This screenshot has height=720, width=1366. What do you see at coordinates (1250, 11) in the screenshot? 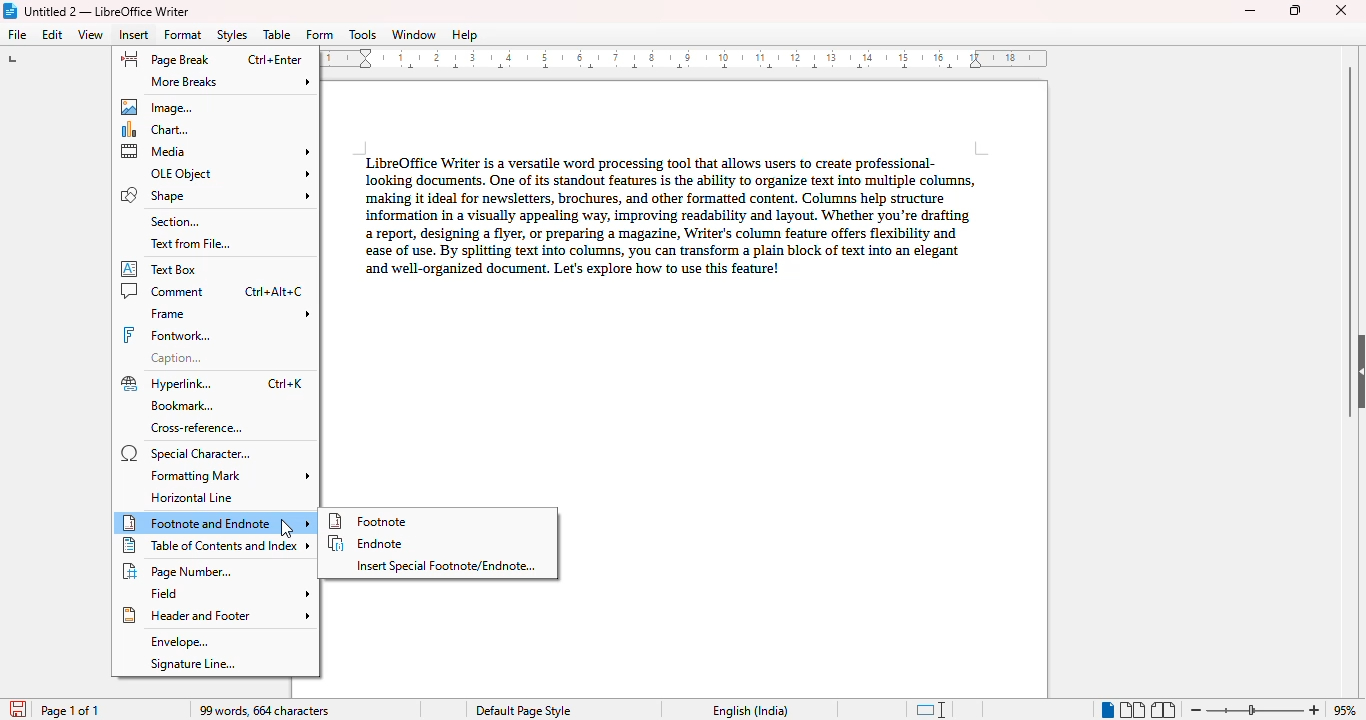
I see `minimize` at bounding box center [1250, 11].